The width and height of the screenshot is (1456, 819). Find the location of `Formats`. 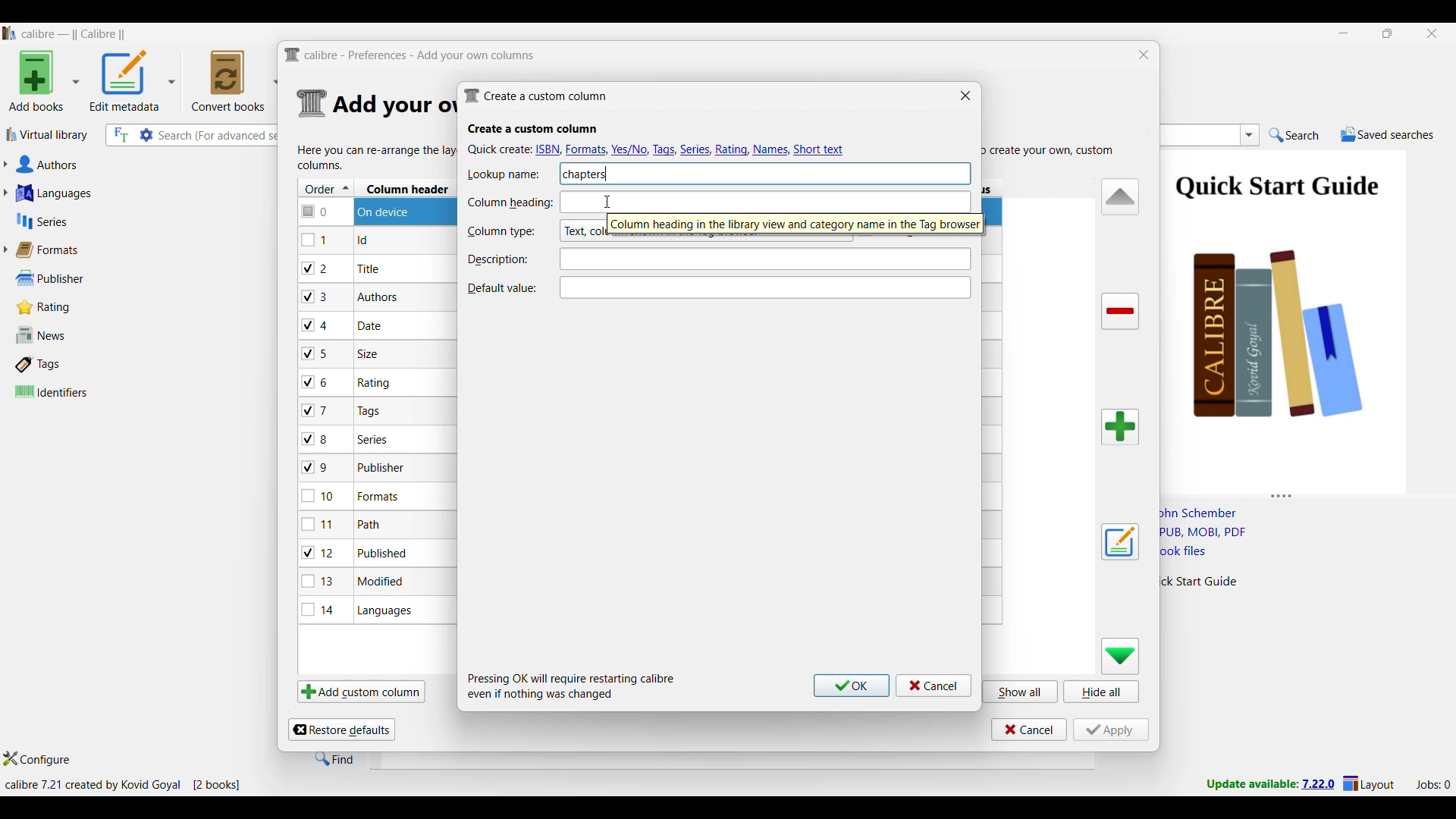

Formats is located at coordinates (54, 249).